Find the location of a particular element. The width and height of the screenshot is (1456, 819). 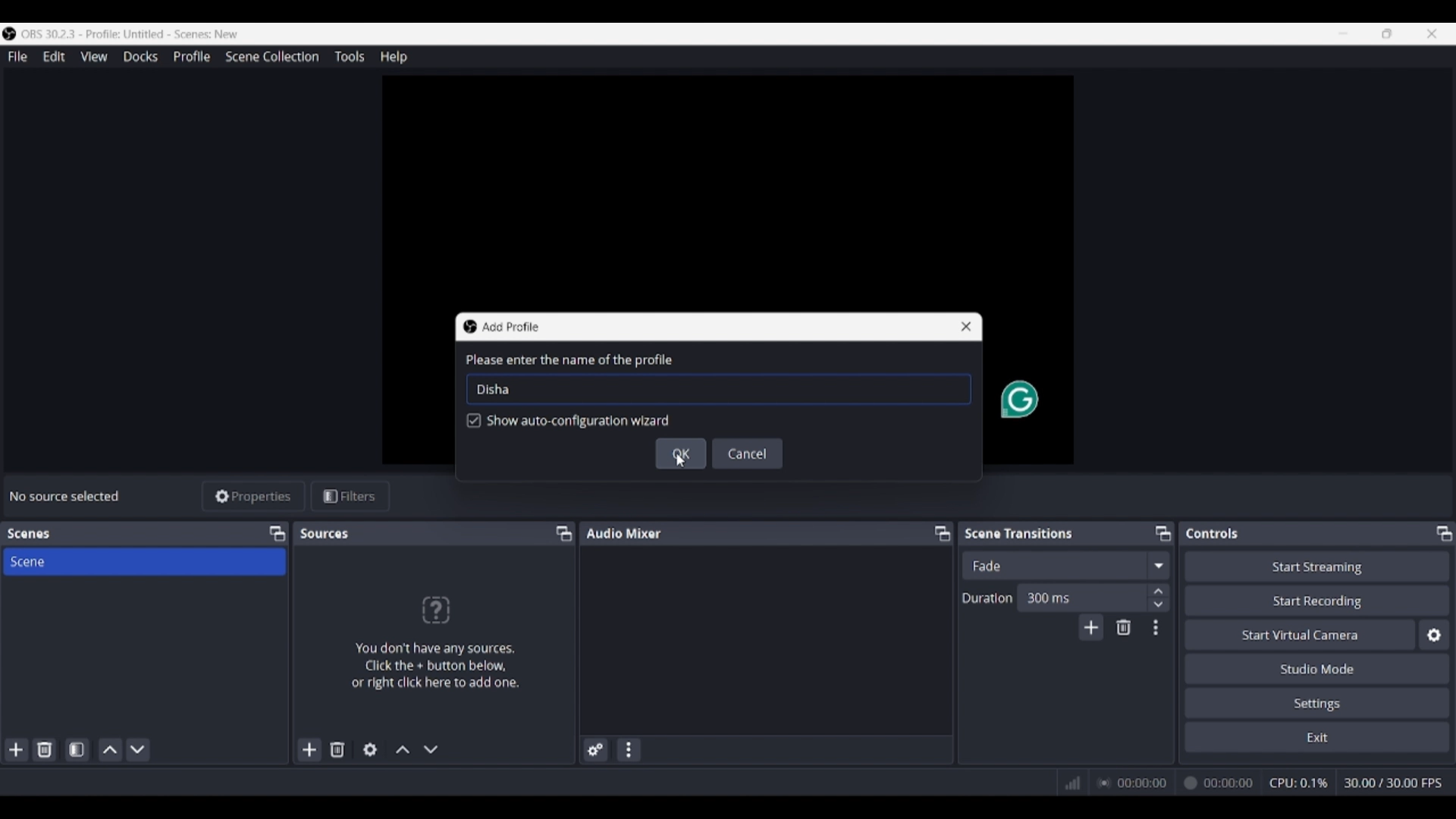

Remove selected source is located at coordinates (337, 749).